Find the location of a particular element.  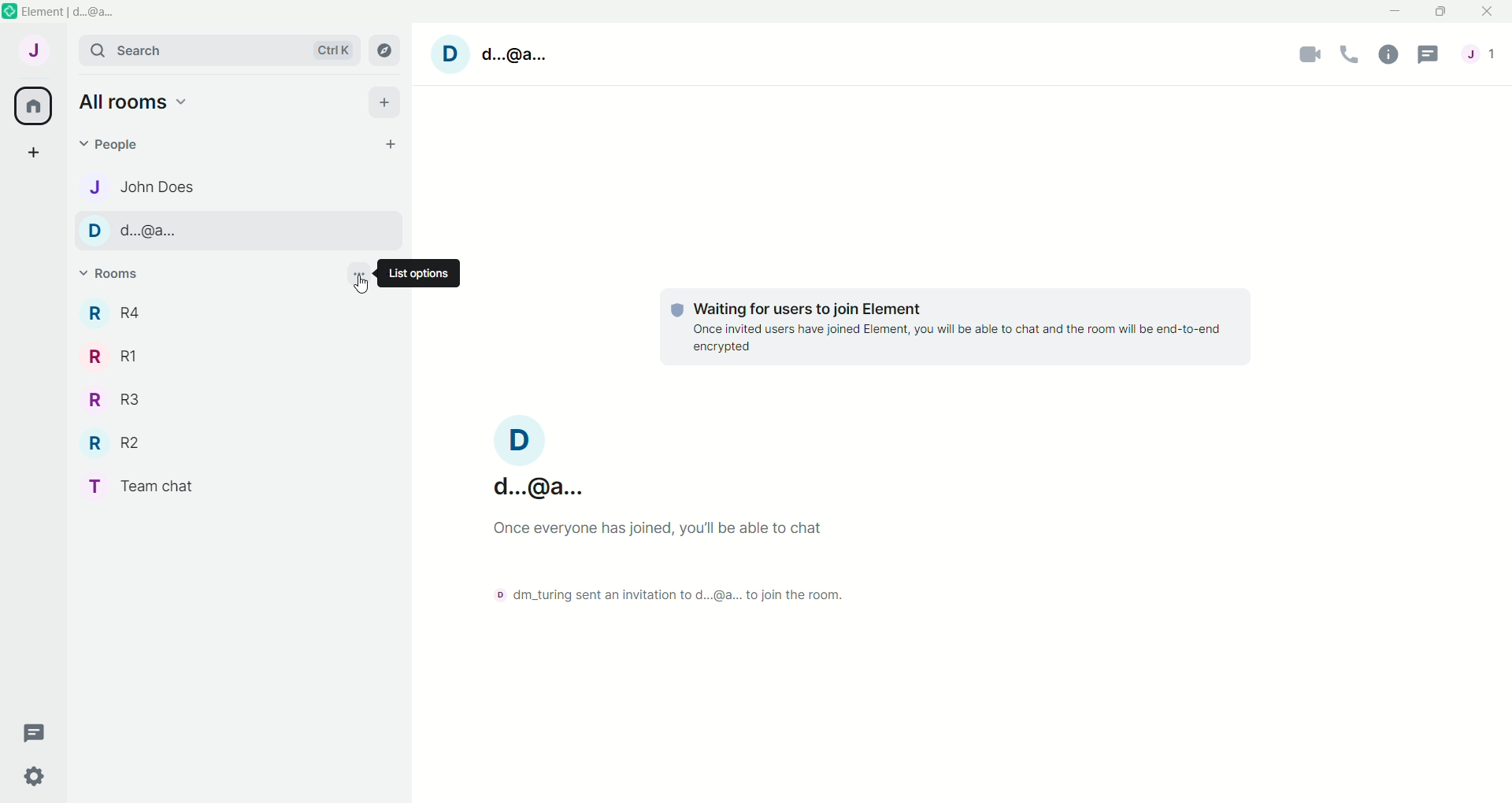

D is located at coordinates (523, 439).